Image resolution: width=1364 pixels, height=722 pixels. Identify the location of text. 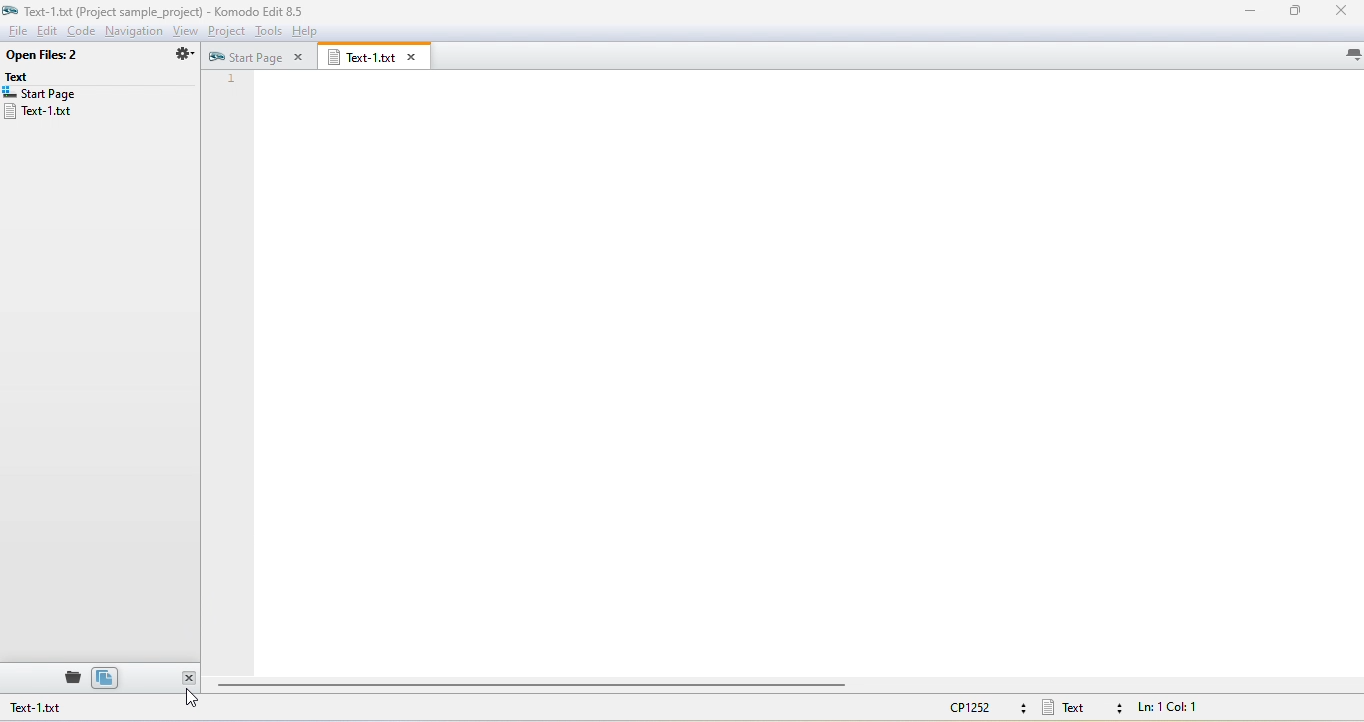
(1083, 707).